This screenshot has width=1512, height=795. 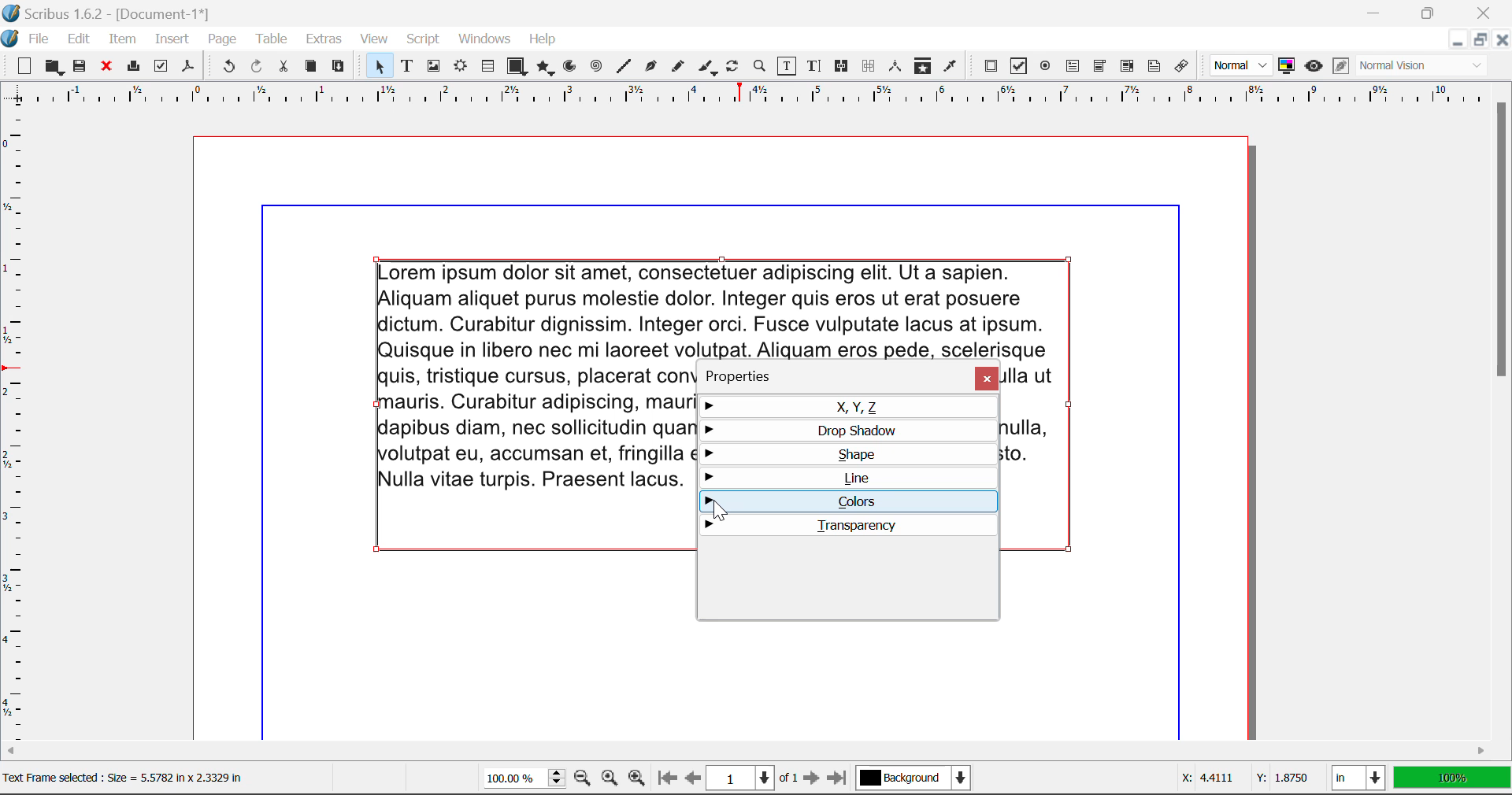 What do you see at coordinates (312, 66) in the screenshot?
I see `Copy` at bounding box center [312, 66].